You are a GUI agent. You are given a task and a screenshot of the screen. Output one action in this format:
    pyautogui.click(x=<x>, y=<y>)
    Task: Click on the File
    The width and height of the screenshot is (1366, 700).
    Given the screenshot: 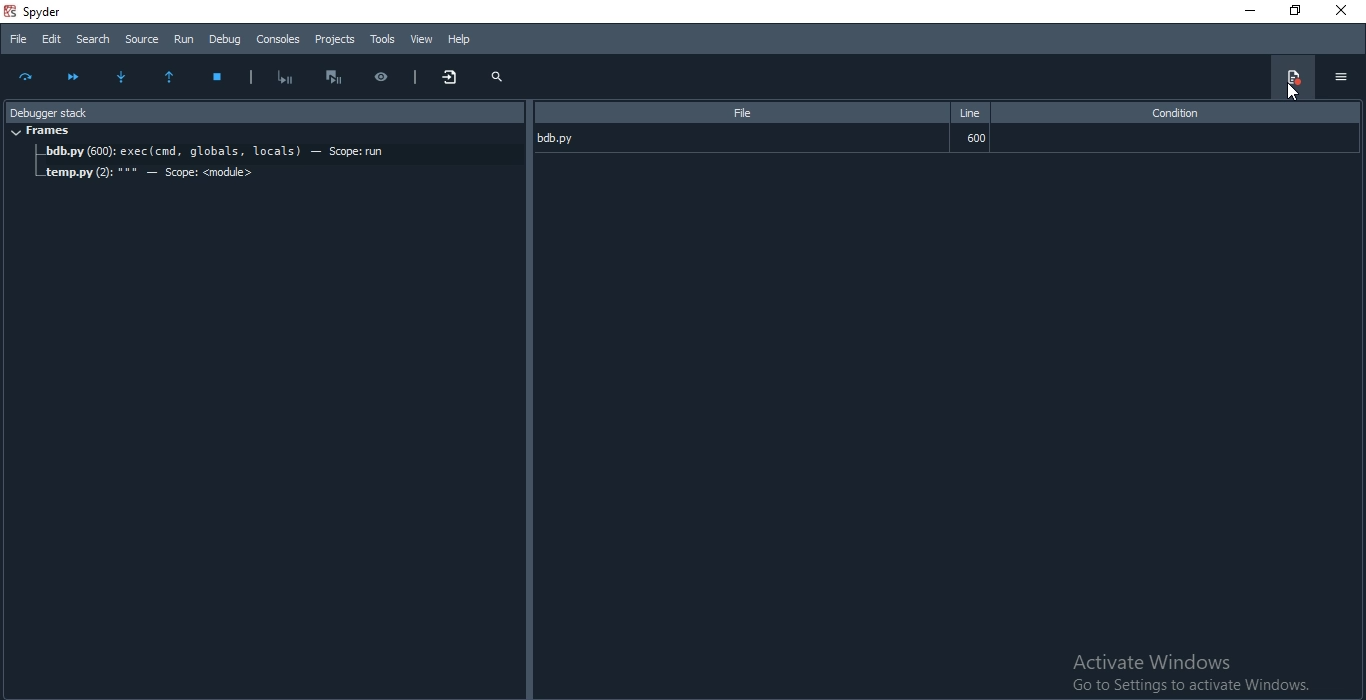 What is the action you would take?
    pyautogui.click(x=738, y=112)
    